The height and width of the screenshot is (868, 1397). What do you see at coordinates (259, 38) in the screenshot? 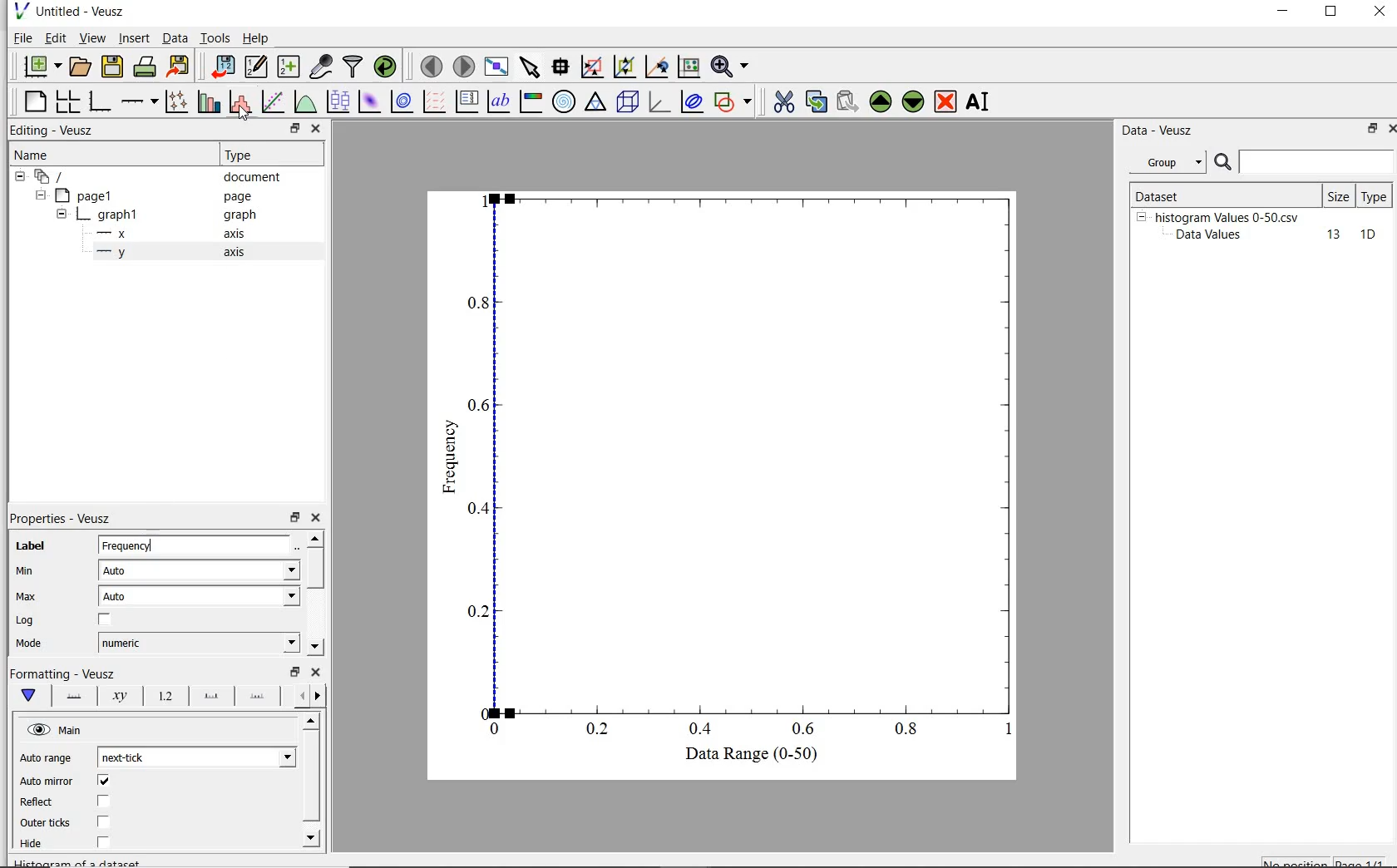
I see `help` at bounding box center [259, 38].